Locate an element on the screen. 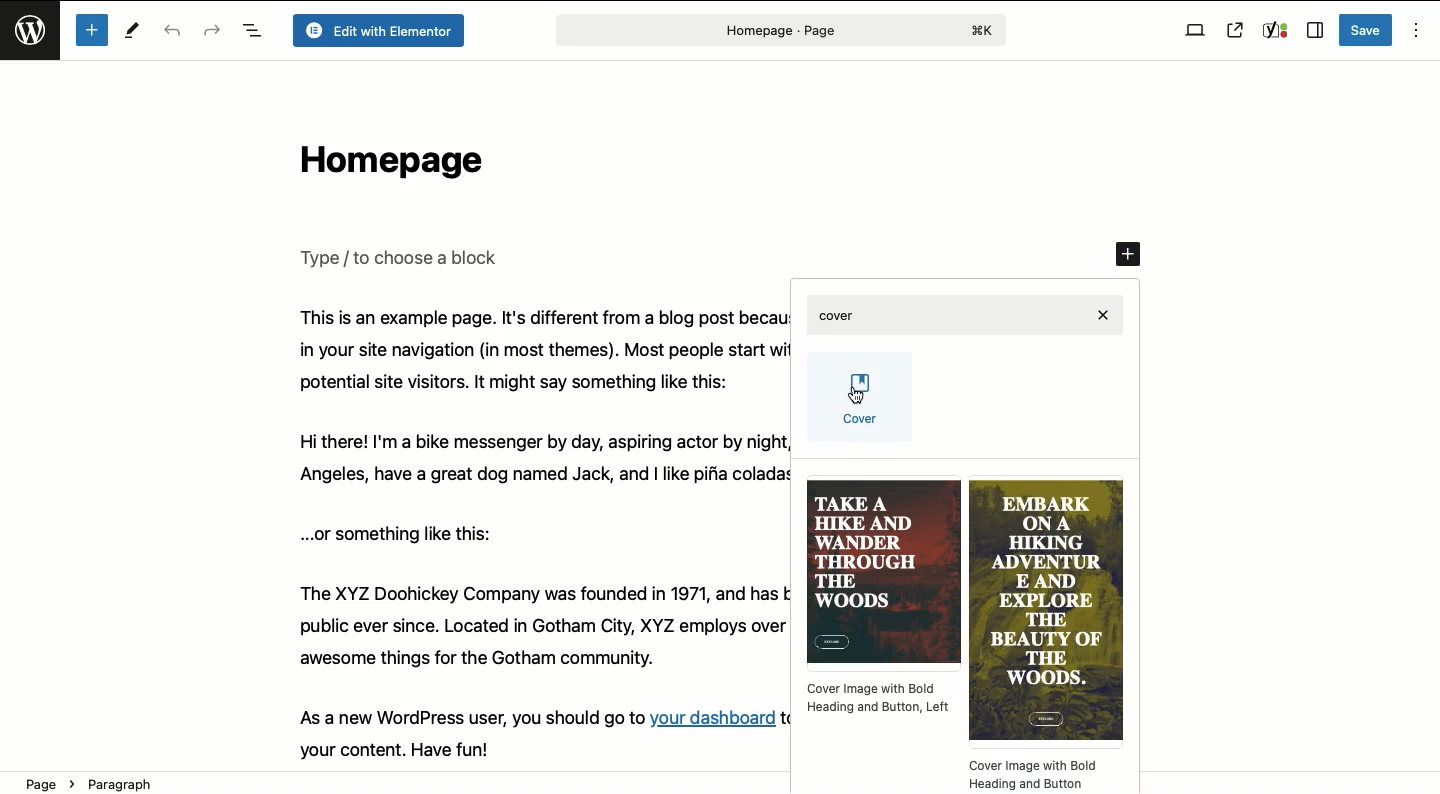  The XYZ Doohickey Company was founded in 1971, and has been providing quality doohickeys to the
public ever since. Located in Gotham City, XYZ employs over 2,000 people and does all kinds of
awesome things for the Gotham community. is located at coordinates (537, 633).